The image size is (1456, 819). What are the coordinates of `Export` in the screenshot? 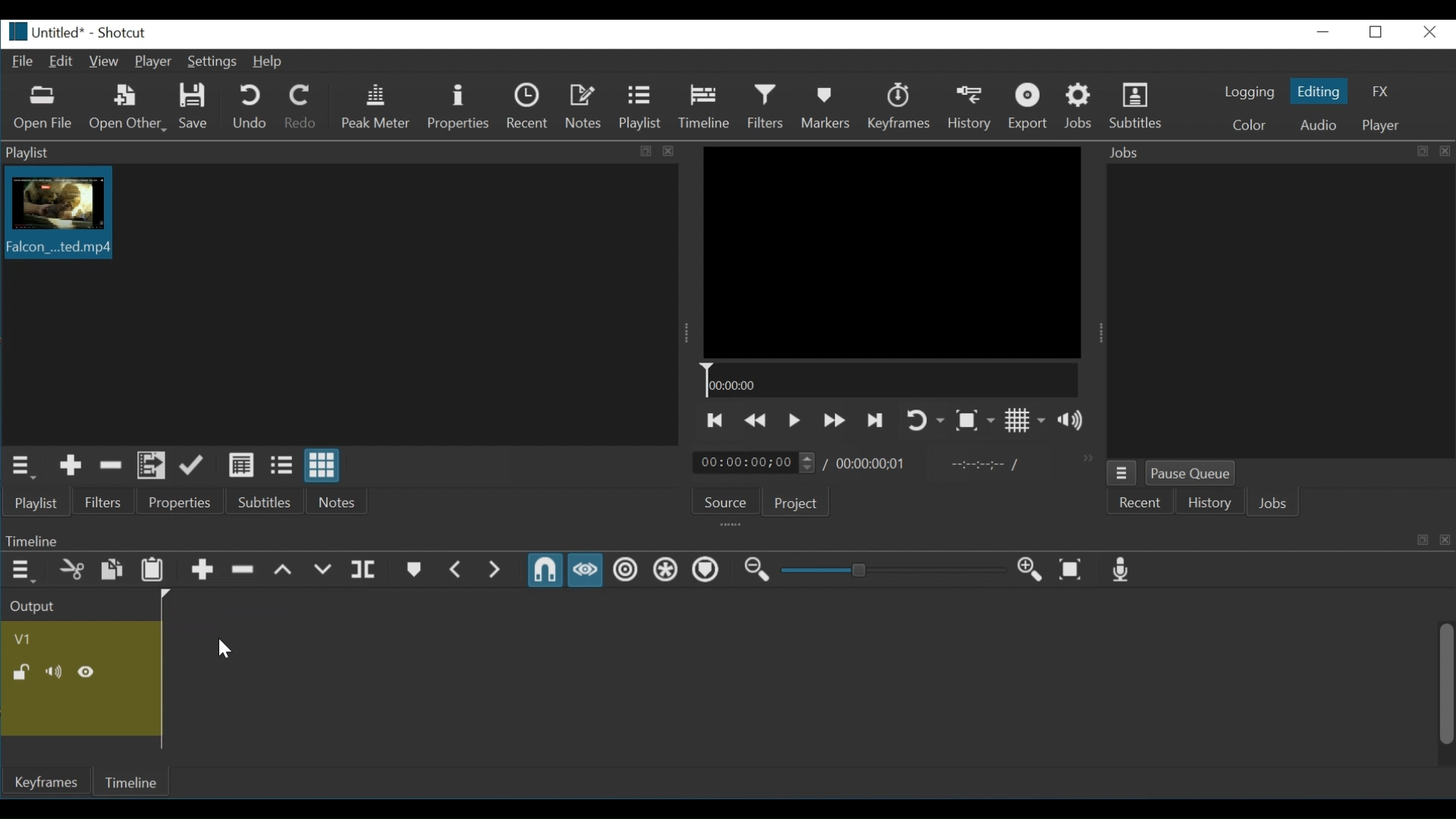 It's located at (1034, 106).